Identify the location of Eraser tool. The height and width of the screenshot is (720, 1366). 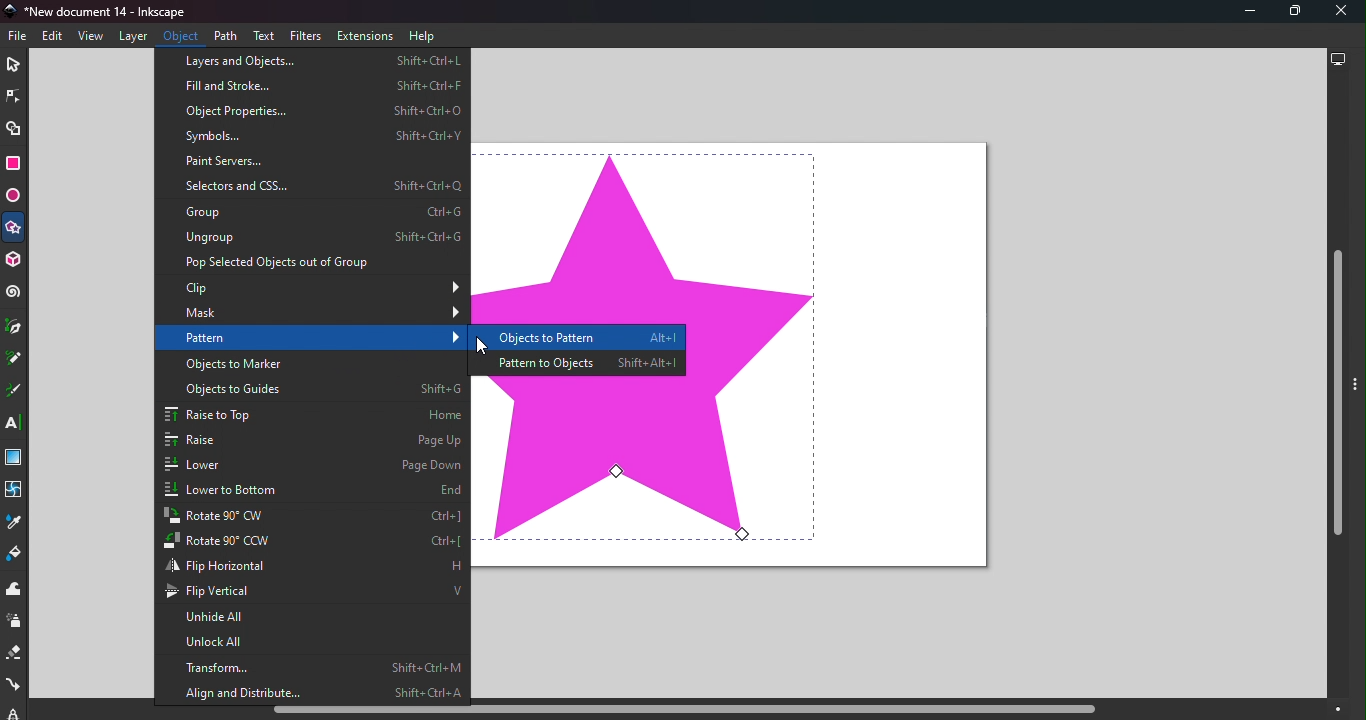
(13, 657).